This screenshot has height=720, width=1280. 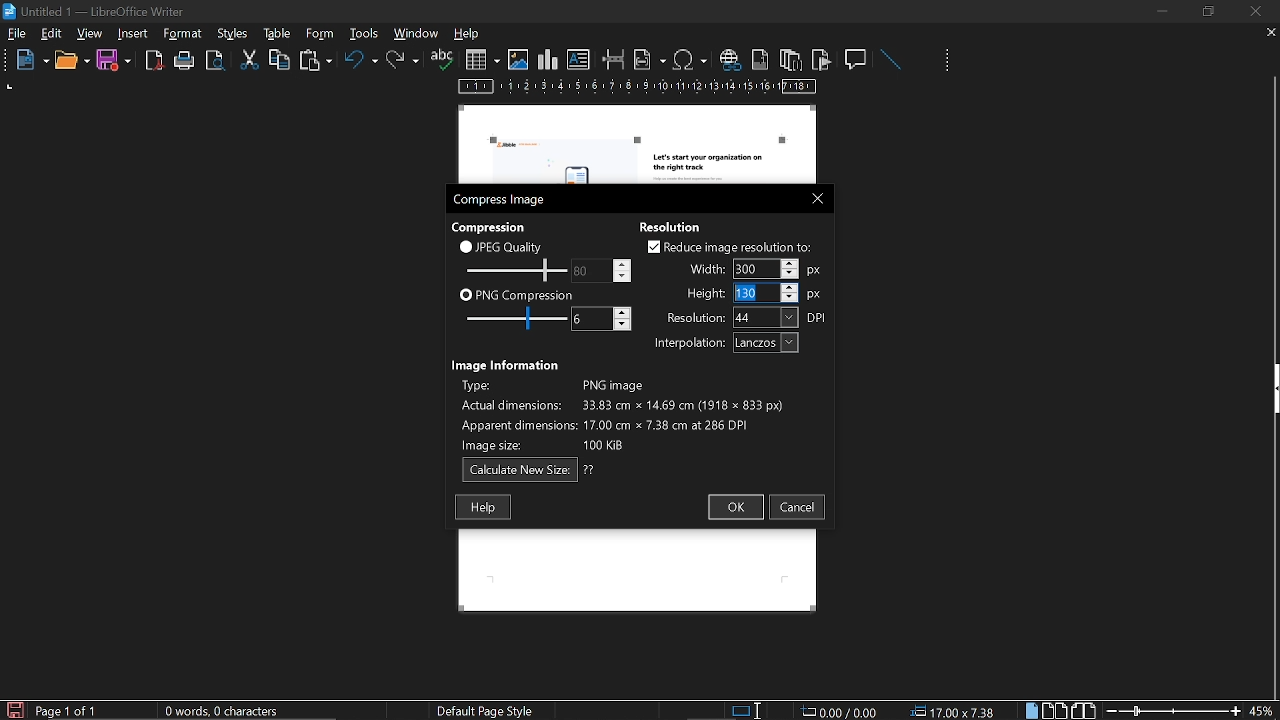 I want to click on window, so click(x=417, y=33).